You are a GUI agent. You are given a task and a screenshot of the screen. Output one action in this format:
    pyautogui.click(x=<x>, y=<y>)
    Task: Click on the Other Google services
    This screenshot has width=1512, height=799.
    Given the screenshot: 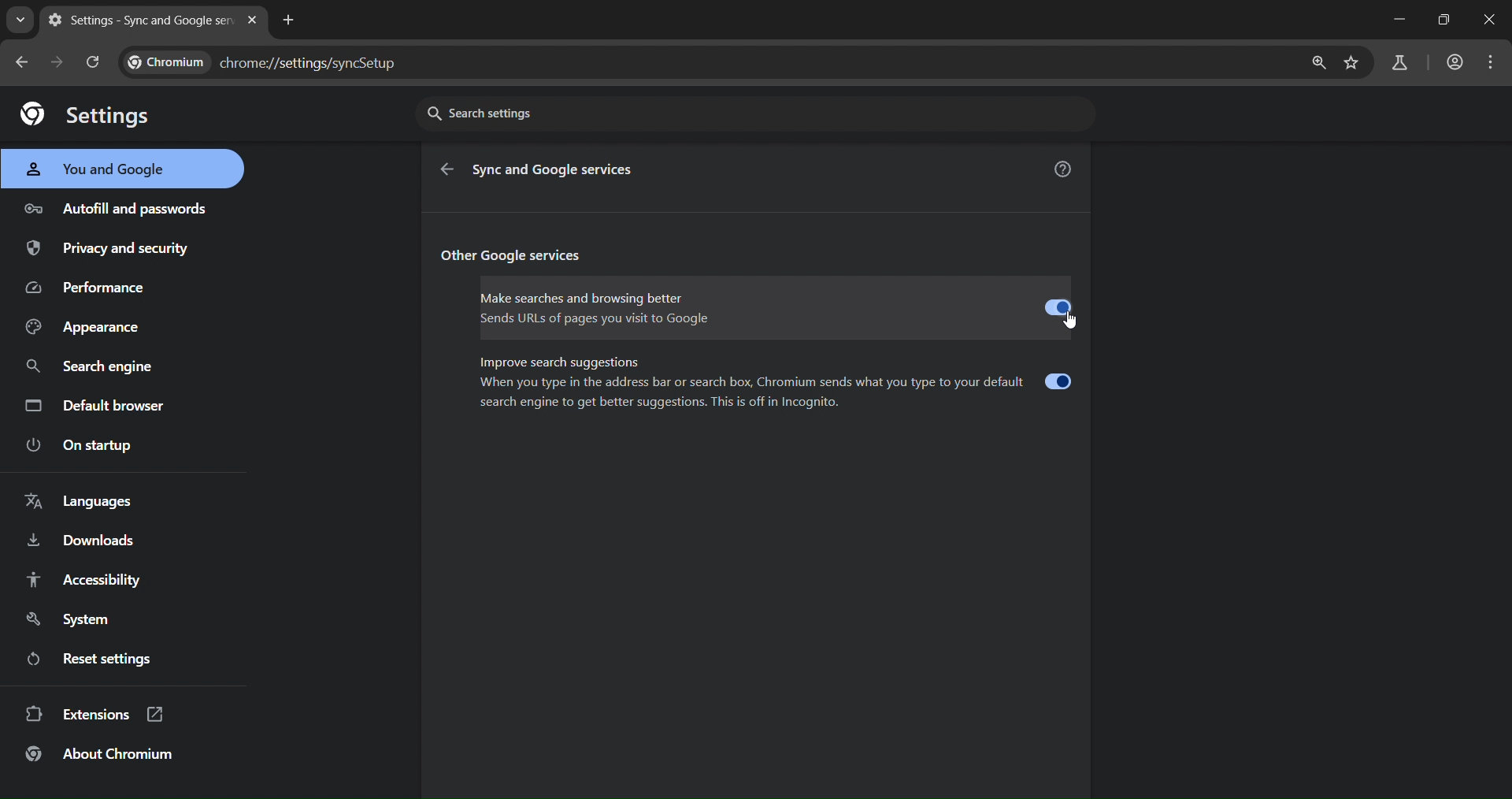 What is the action you would take?
    pyautogui.click(x=524, y=255)
    